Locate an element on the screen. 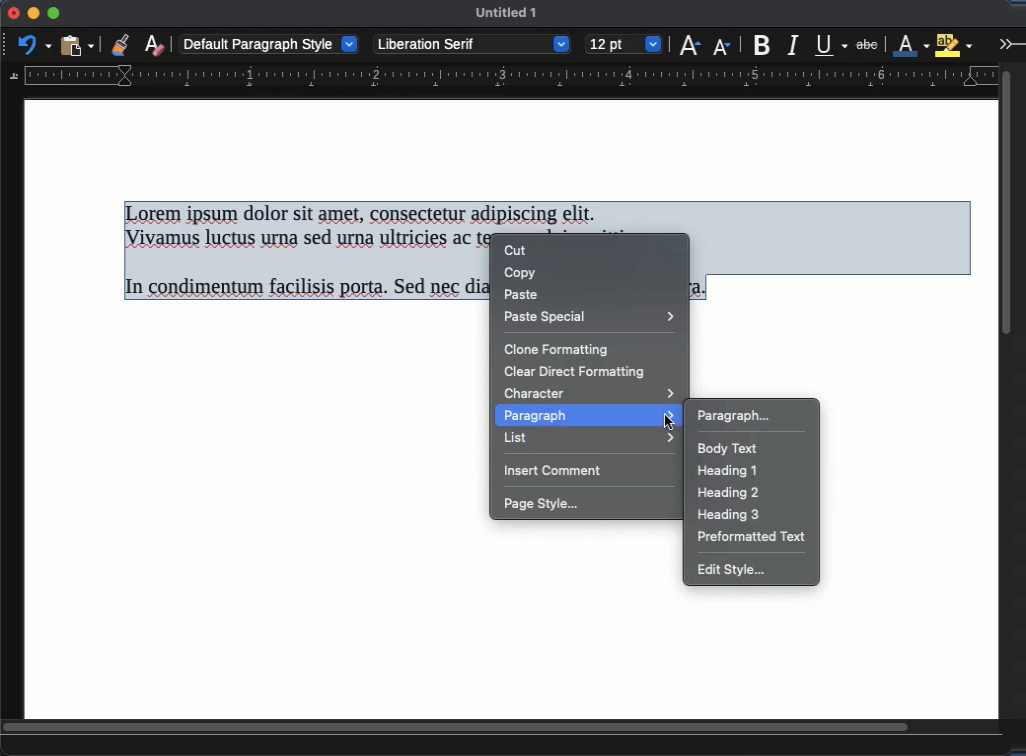  line color is located at coordinates (911, 44).